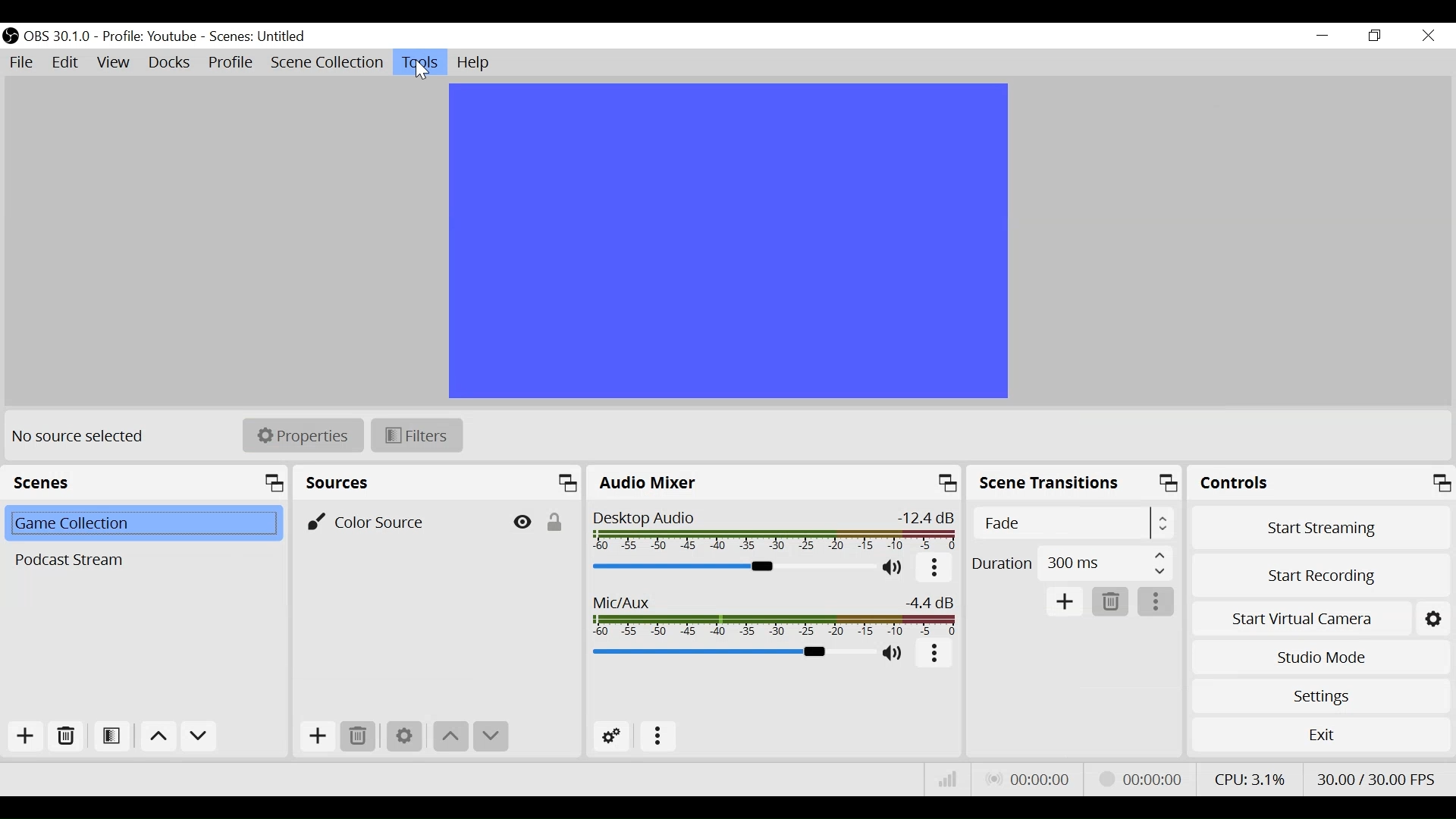 Image resolution: width=1456 pixels, height=819 pixels. Describe the element at coordinates (11, 36) in the screenshot. I see `OBS Desktop icon` at that location.